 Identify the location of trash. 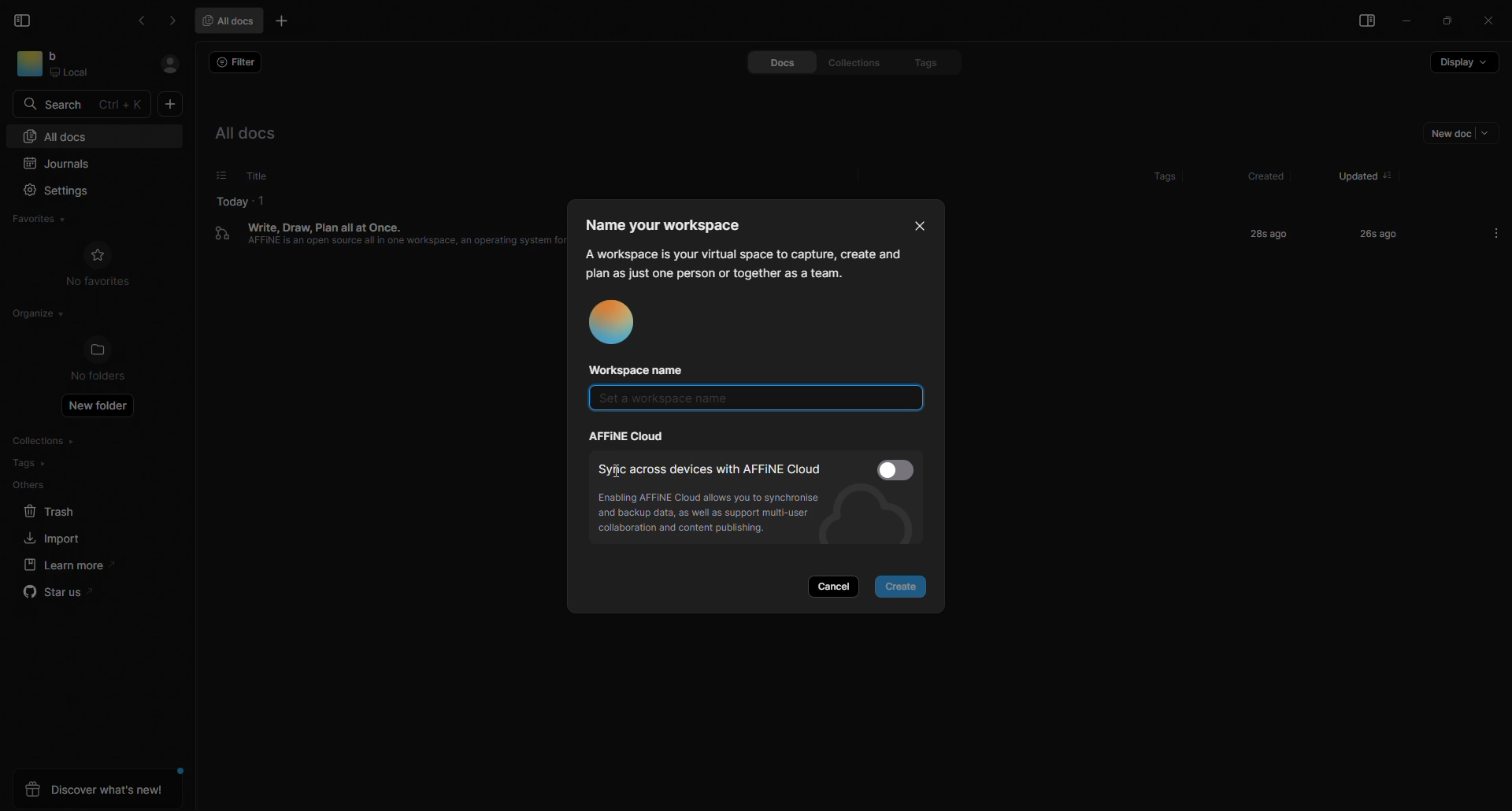
(50, 512).